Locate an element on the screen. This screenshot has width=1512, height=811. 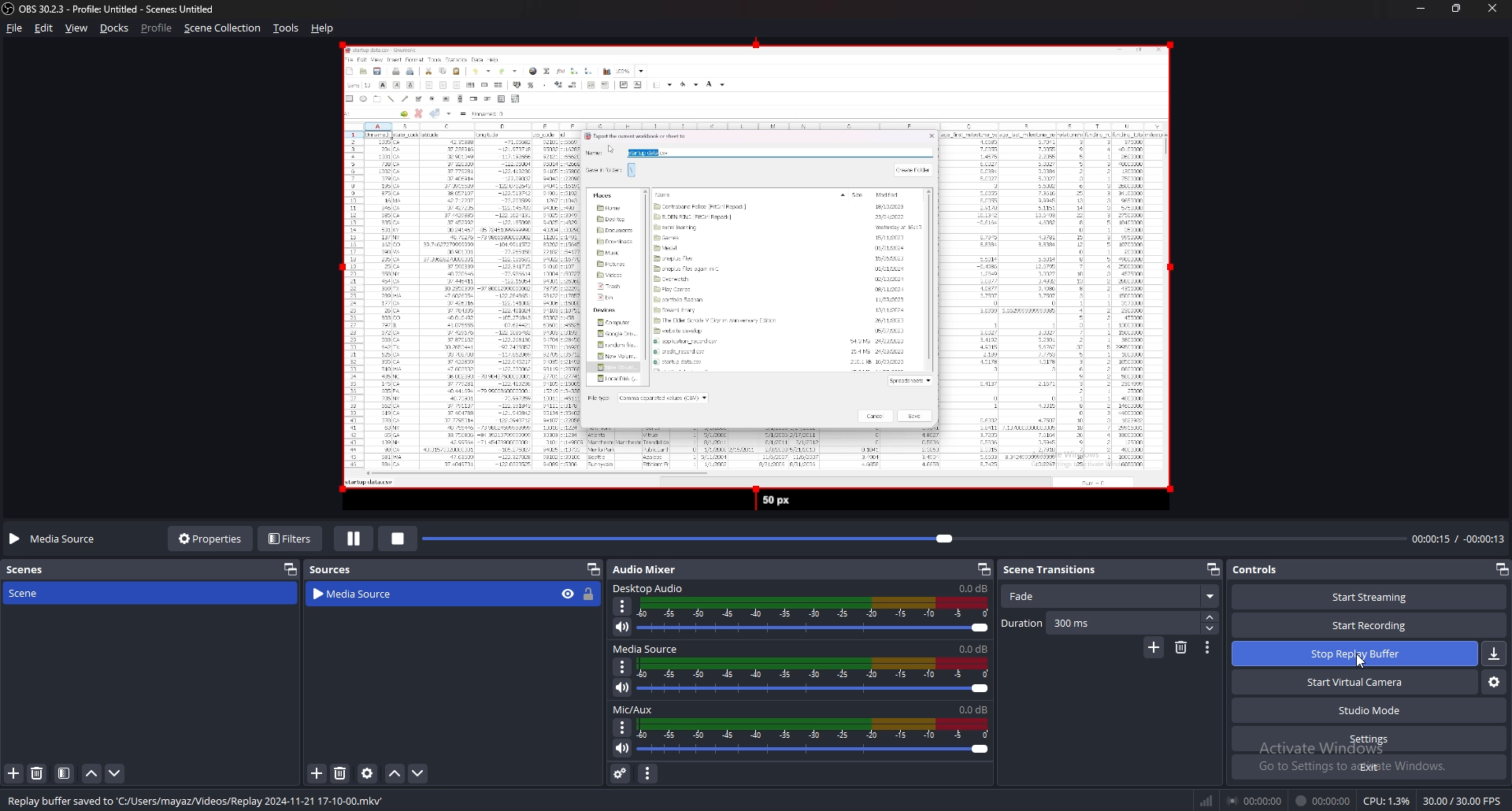
mic/aux is located at coordinates (633, 709).